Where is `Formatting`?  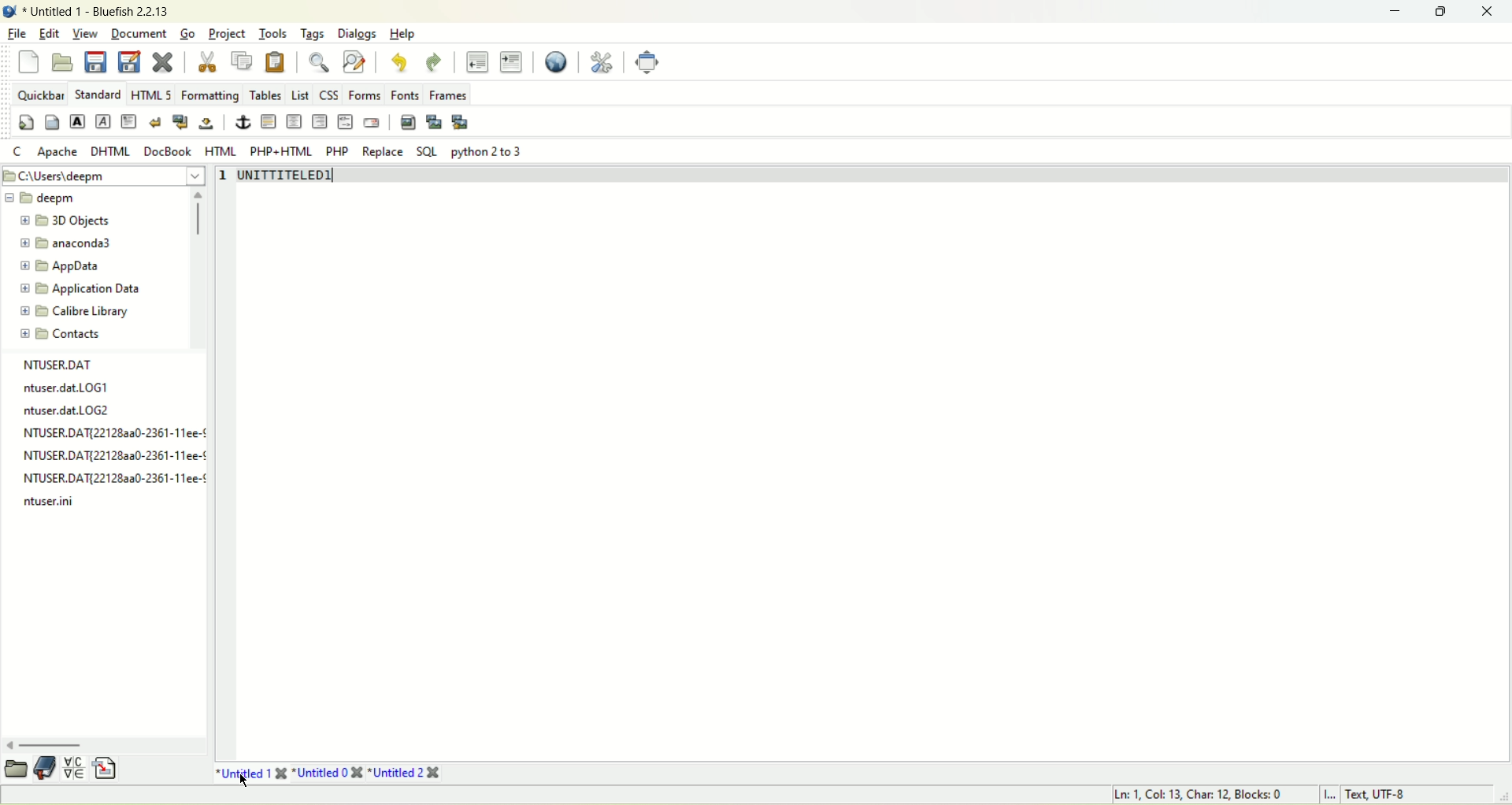
Formatting is located at coordinates (206, 93).